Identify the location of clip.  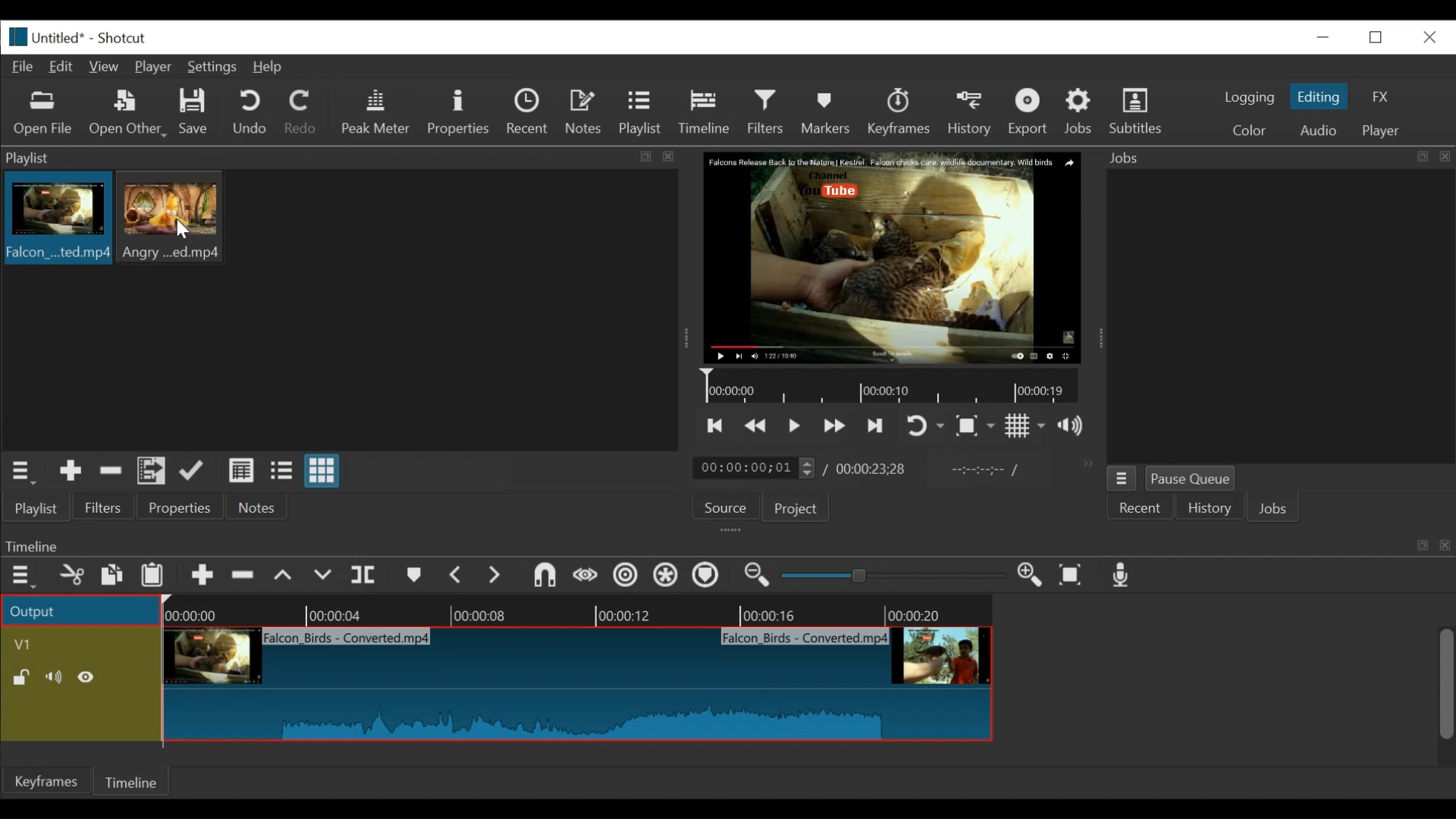
(55, 220).